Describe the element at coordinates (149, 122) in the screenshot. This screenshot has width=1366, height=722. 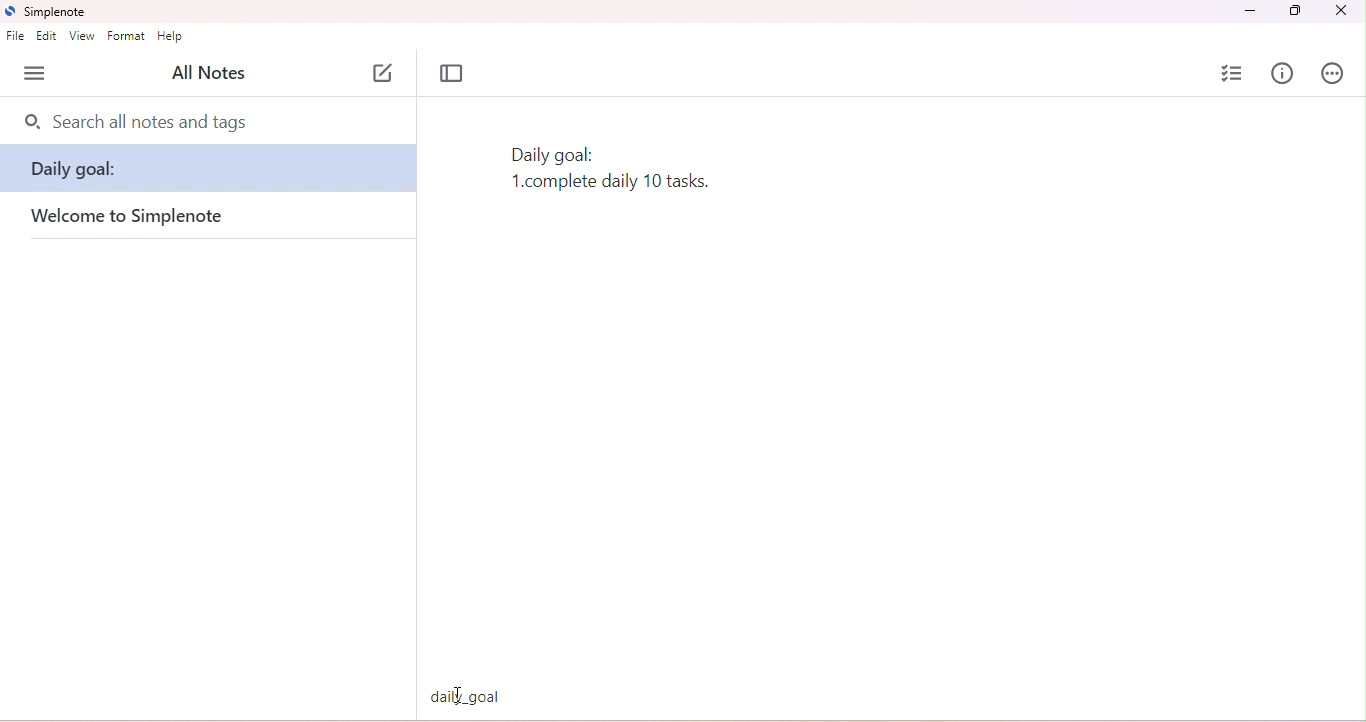
I see `search all nots and tags` at that location.